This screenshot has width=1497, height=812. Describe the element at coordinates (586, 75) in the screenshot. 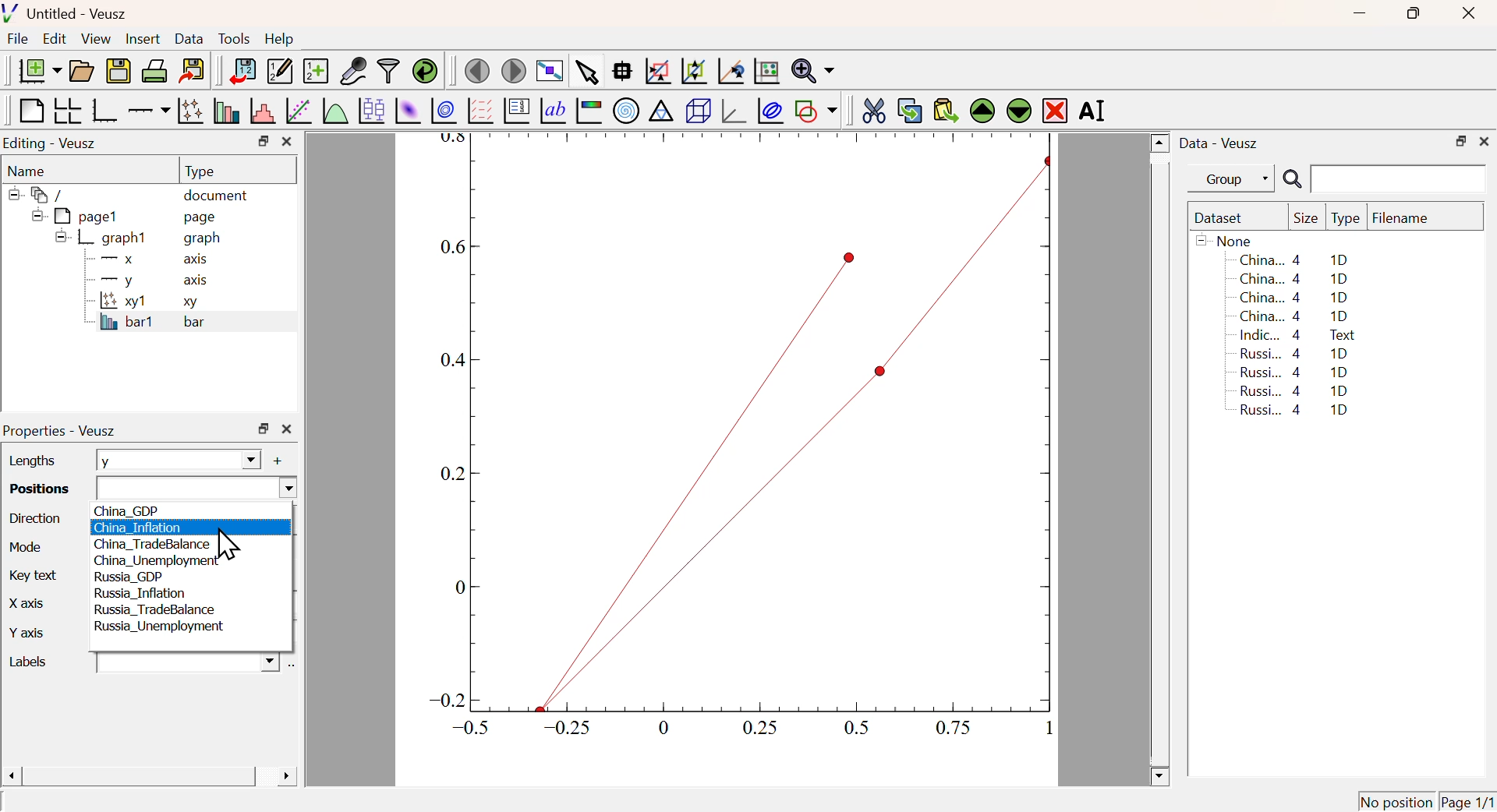

I see `Select items from graph or scroll` at that location.